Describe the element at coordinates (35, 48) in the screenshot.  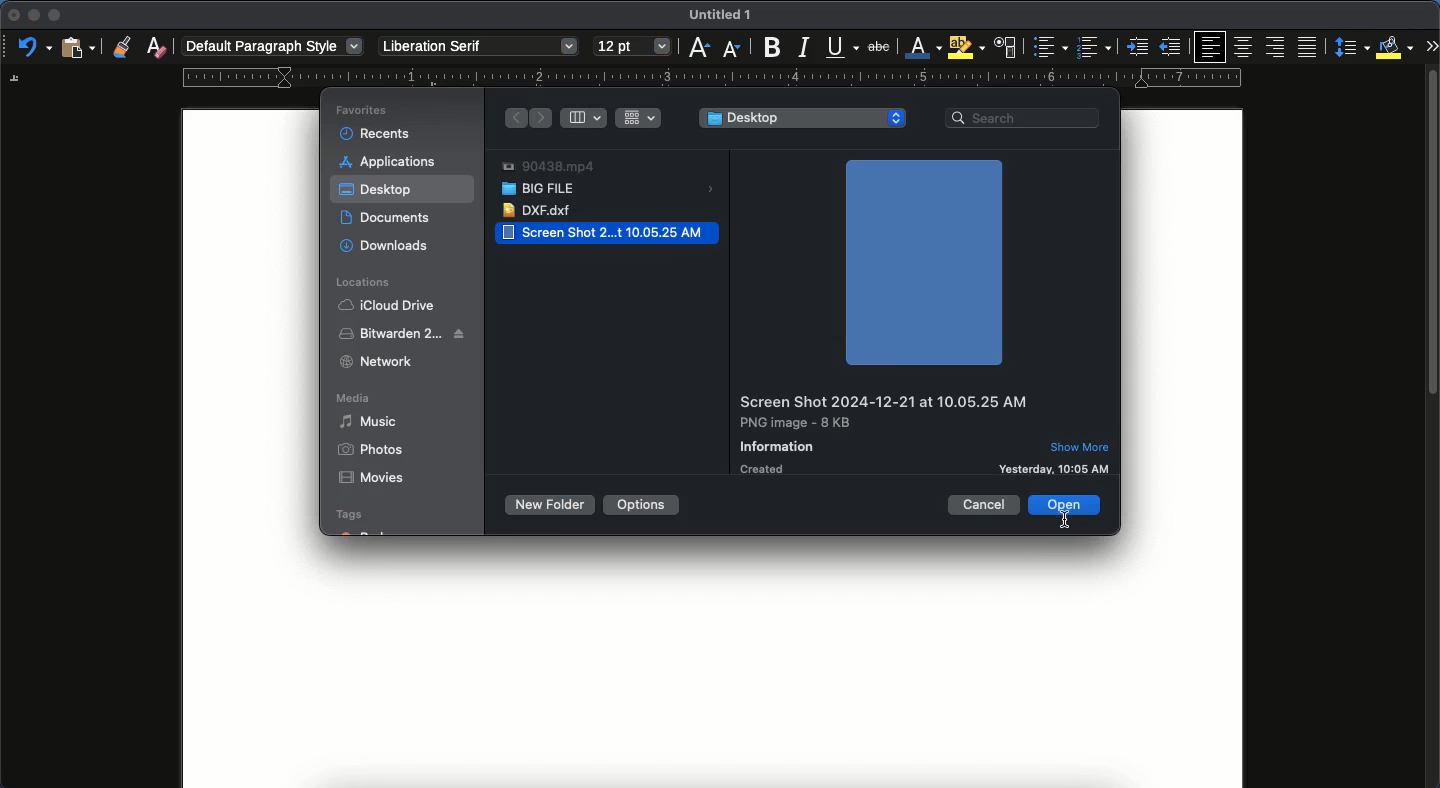
I see `undo` at that location.